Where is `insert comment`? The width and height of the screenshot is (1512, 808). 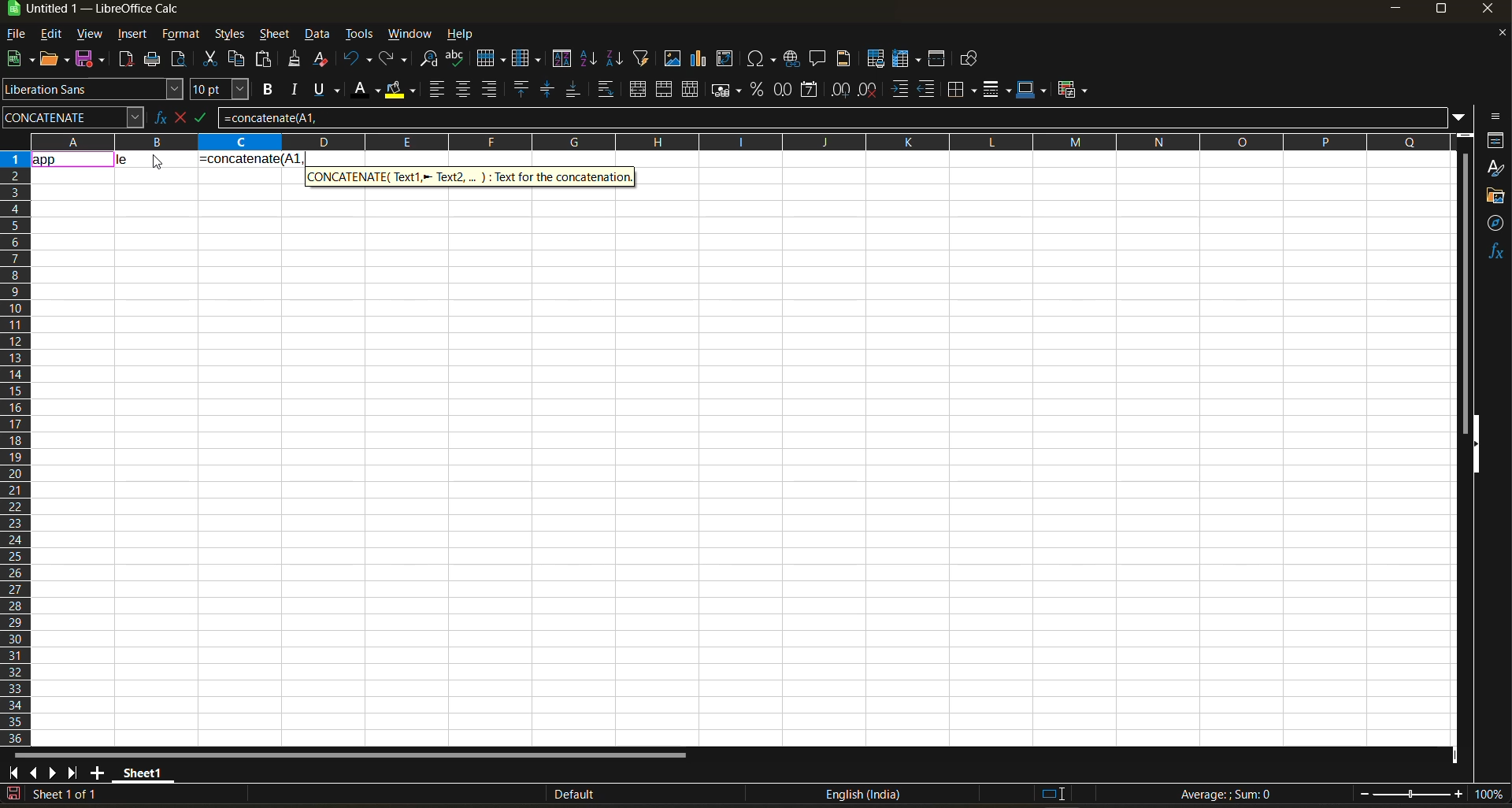
insert comment is located at coordinates (818, 59).